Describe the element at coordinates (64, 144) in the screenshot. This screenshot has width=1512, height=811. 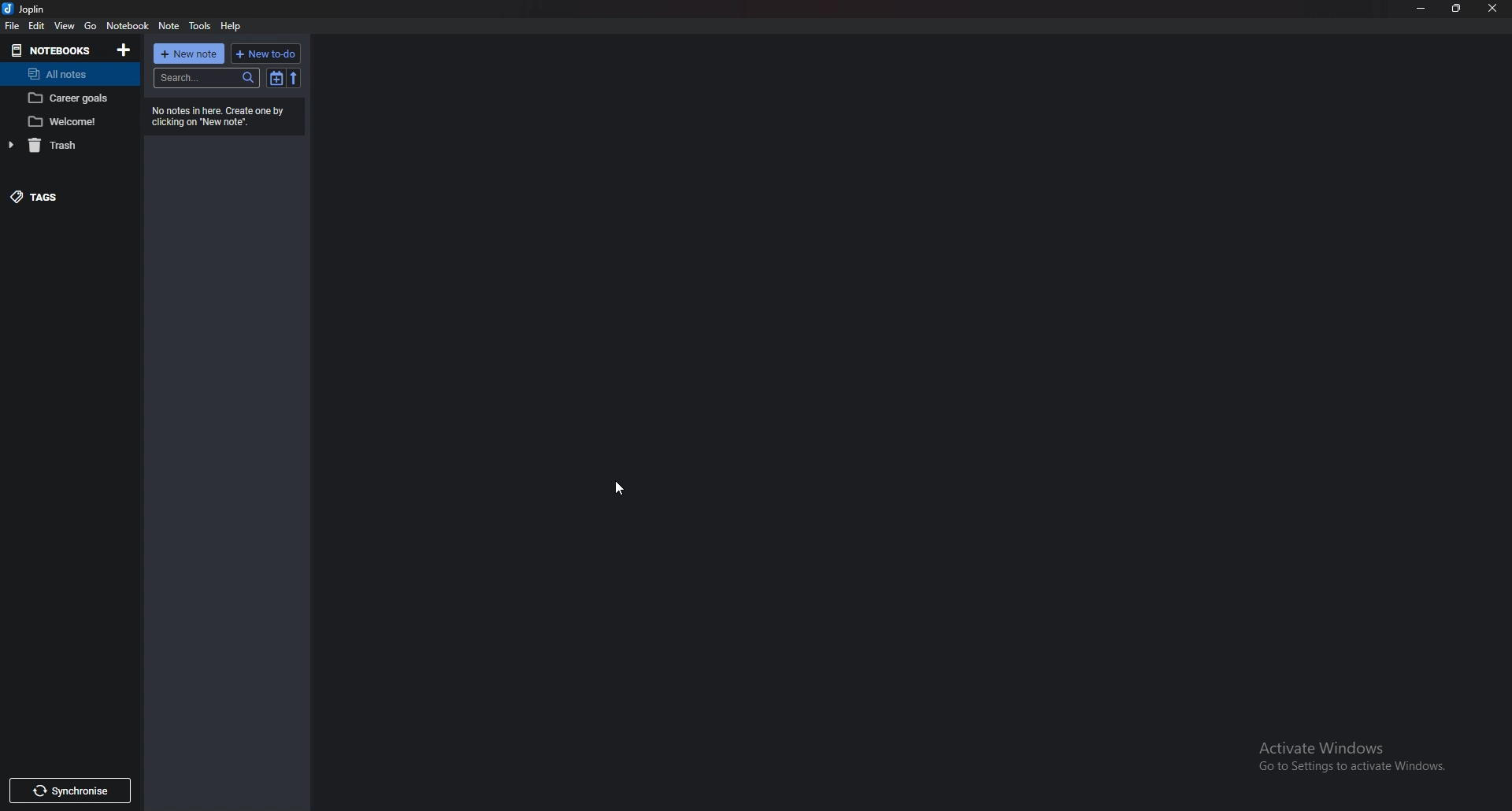
I see `trash` at that location.